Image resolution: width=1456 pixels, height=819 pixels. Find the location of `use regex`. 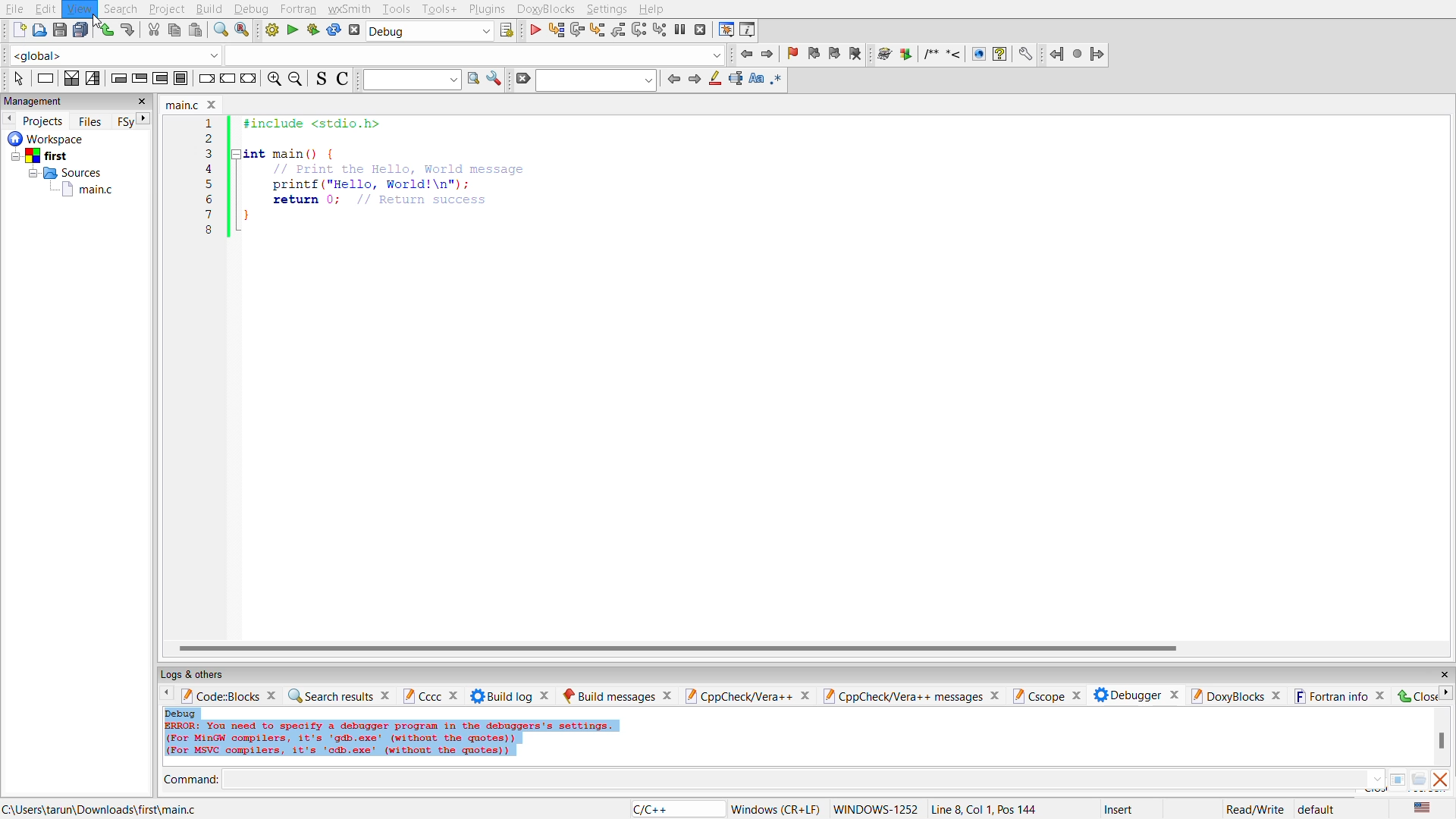

use regex is located at coordinates (781, 81).